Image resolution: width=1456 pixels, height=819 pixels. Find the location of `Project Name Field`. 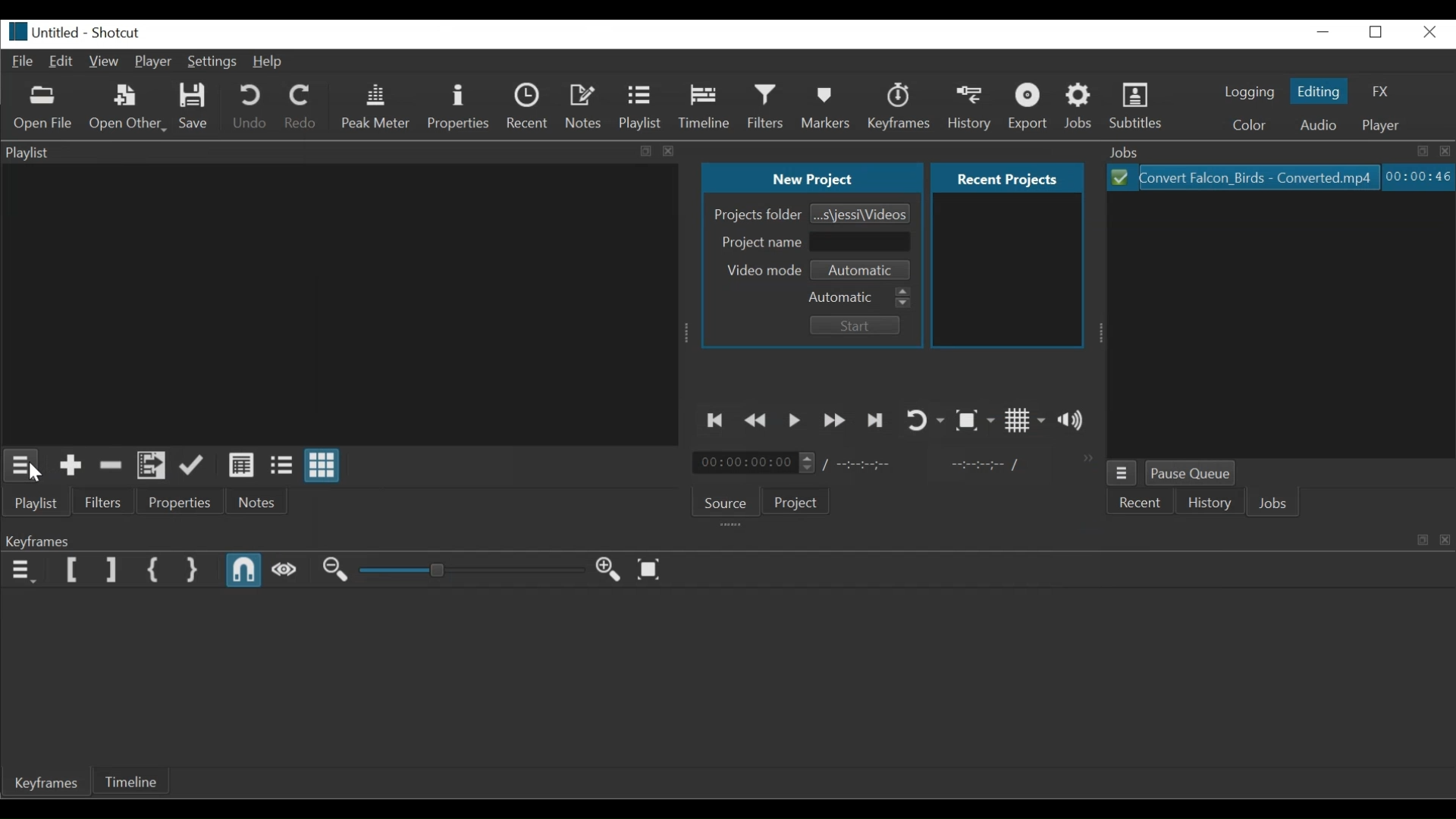

Project Name Field is located at coordinates (862, 243).